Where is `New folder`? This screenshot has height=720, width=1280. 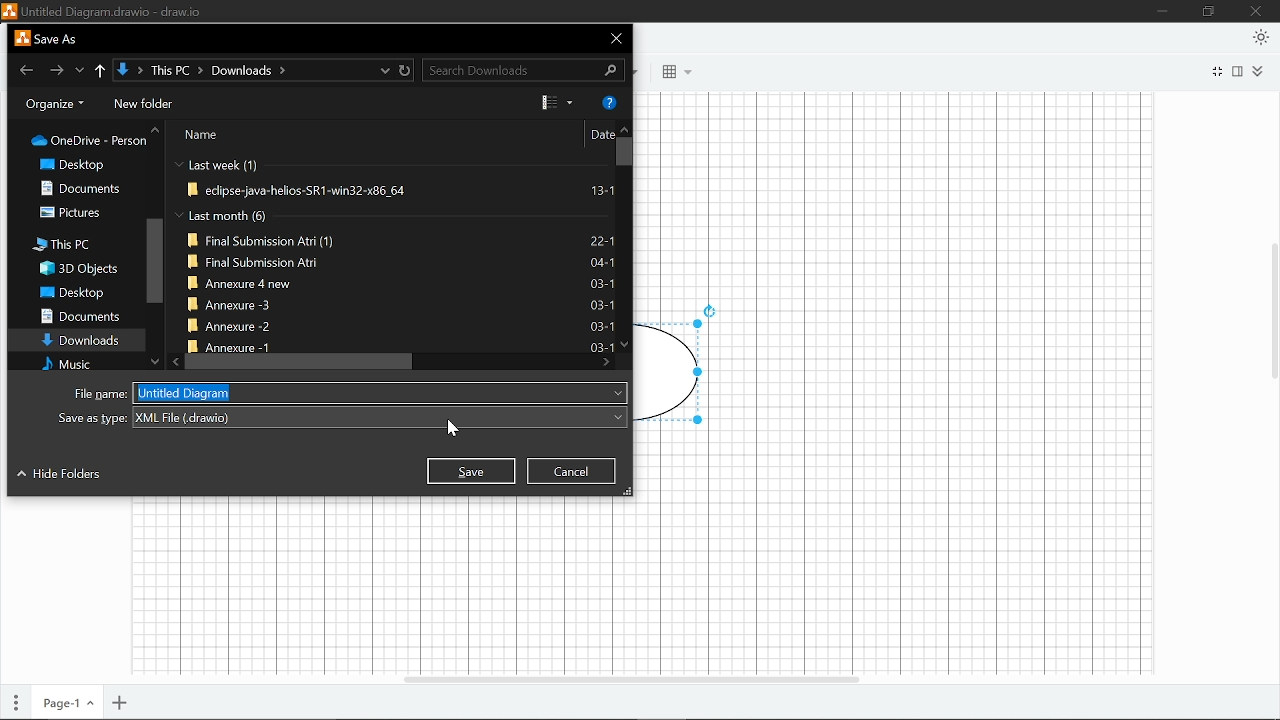
New folder is located at coordinates (143, 104).